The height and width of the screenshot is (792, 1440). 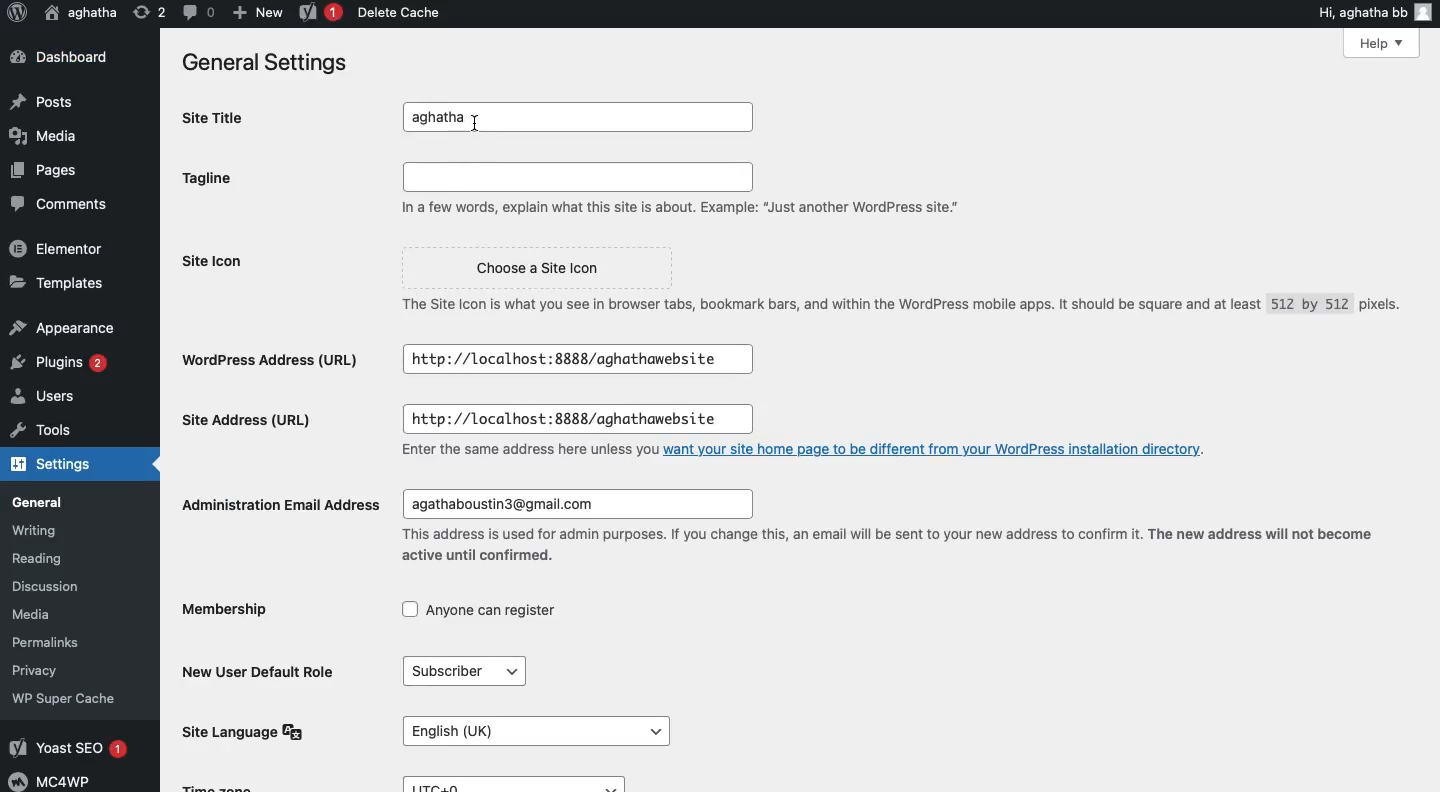 I want to click on agathaboustin3@gmail.com, so click(x=578, y=505).